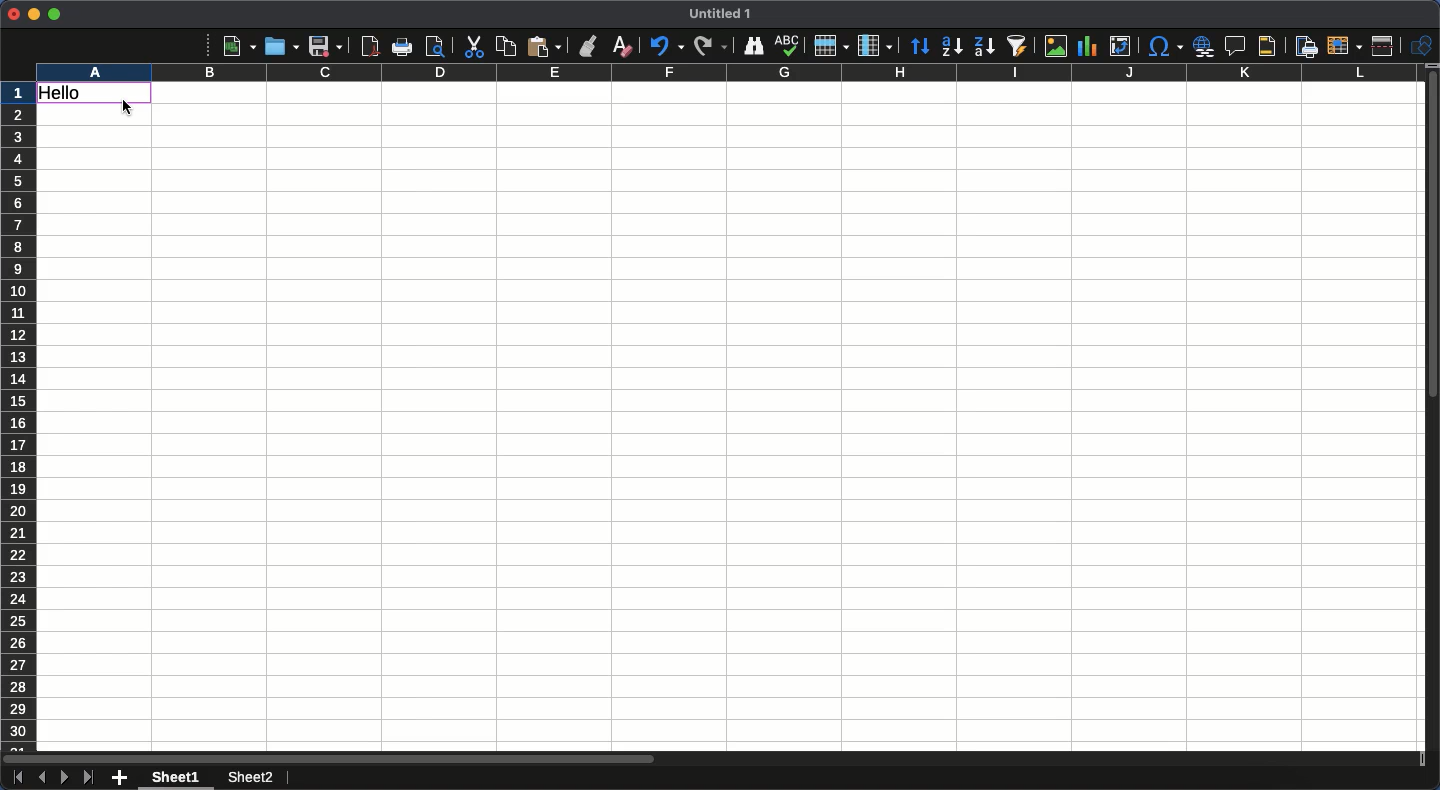 Image resolution: width=1440 pixels, height=790 pixels. I want to click on Special characters, so click(1164, 46).